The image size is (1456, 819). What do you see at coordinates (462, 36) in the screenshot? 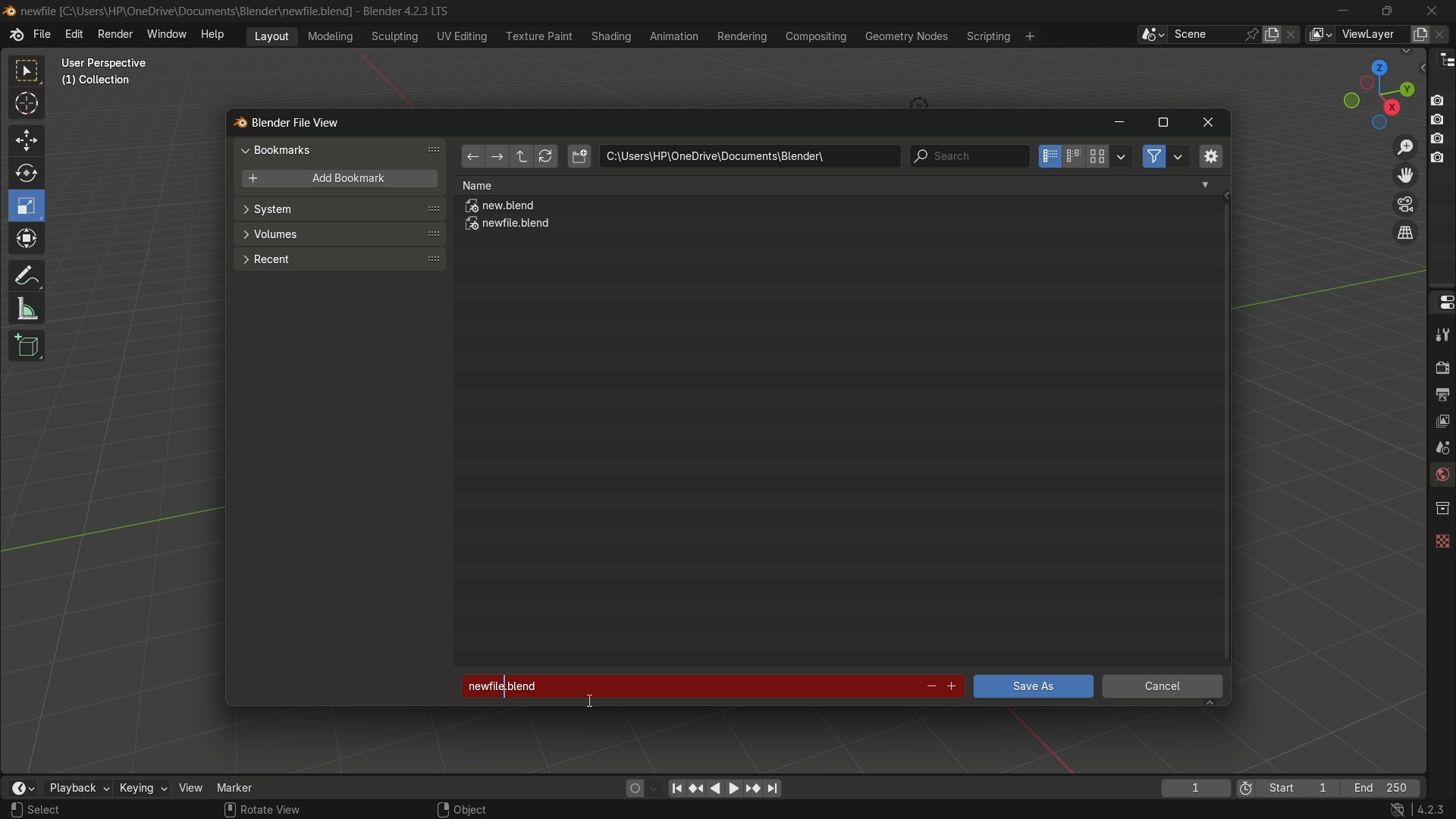
I see `uv editing menu` at bounding box center [462, 36].